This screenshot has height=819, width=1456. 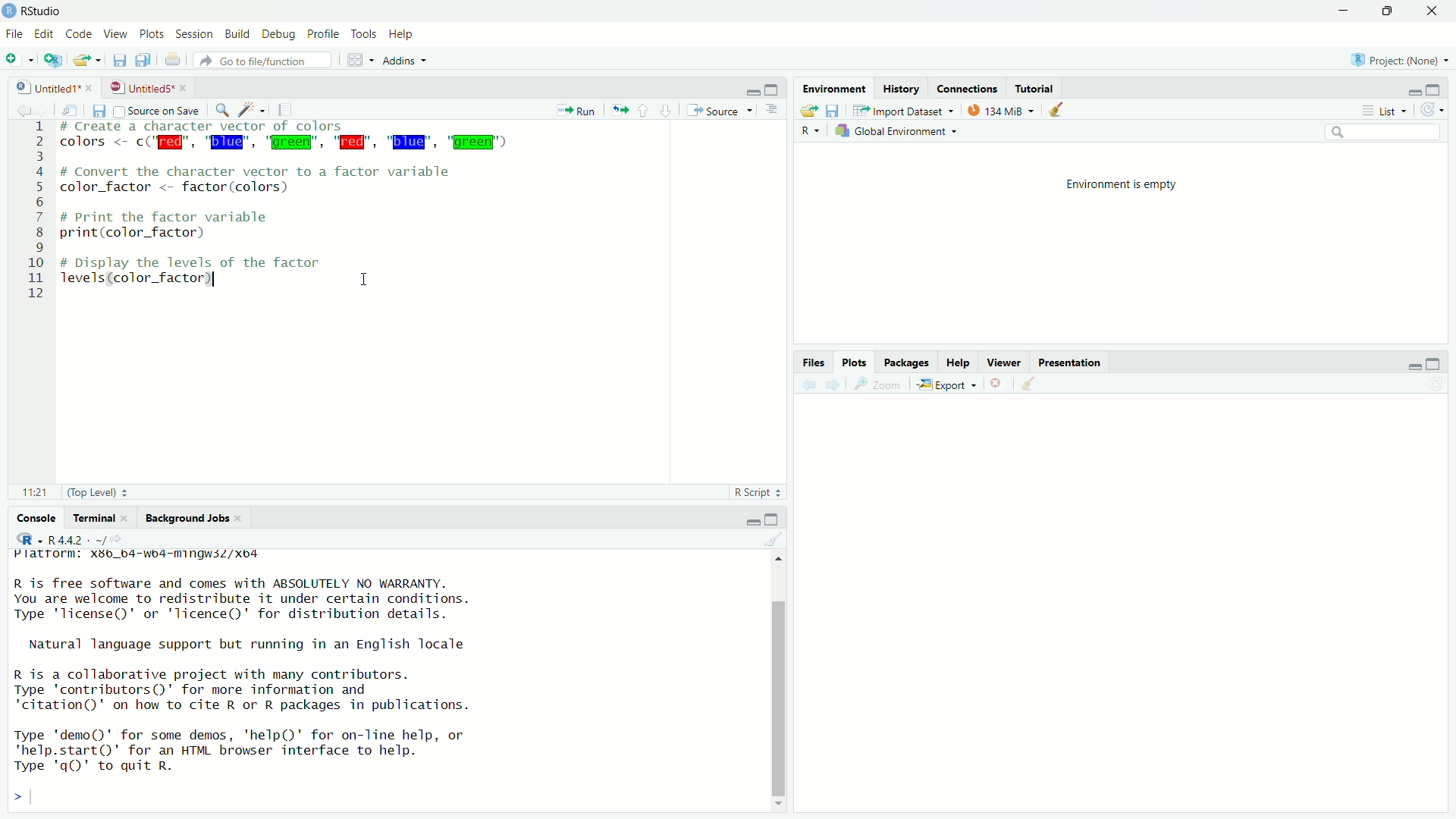 What do you see at coordinates (229, 127) in the screenshot?
I see `# create a character  vector of colors` at bounding box center [229, 127].